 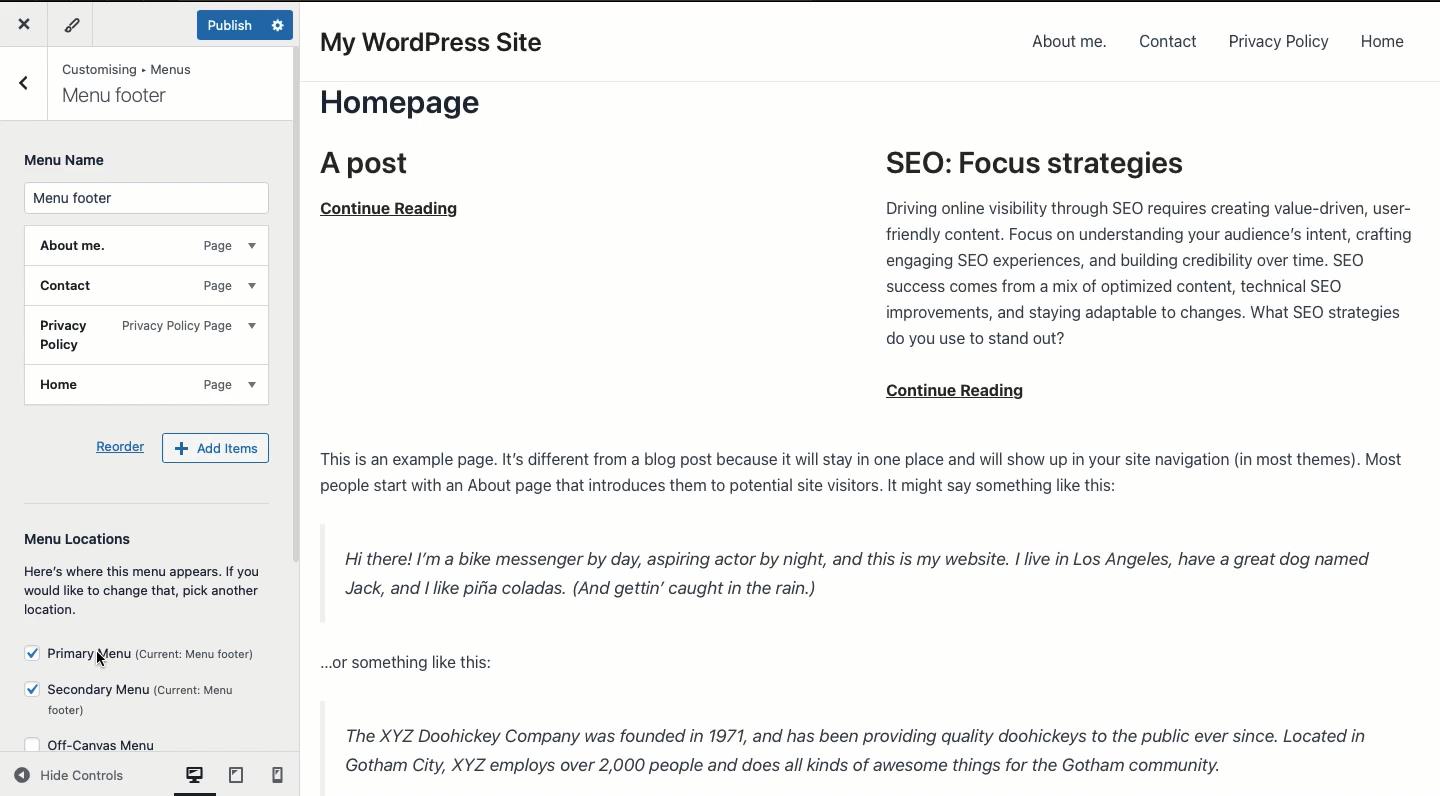 I want to click on continue, so click(x=961, y=390).